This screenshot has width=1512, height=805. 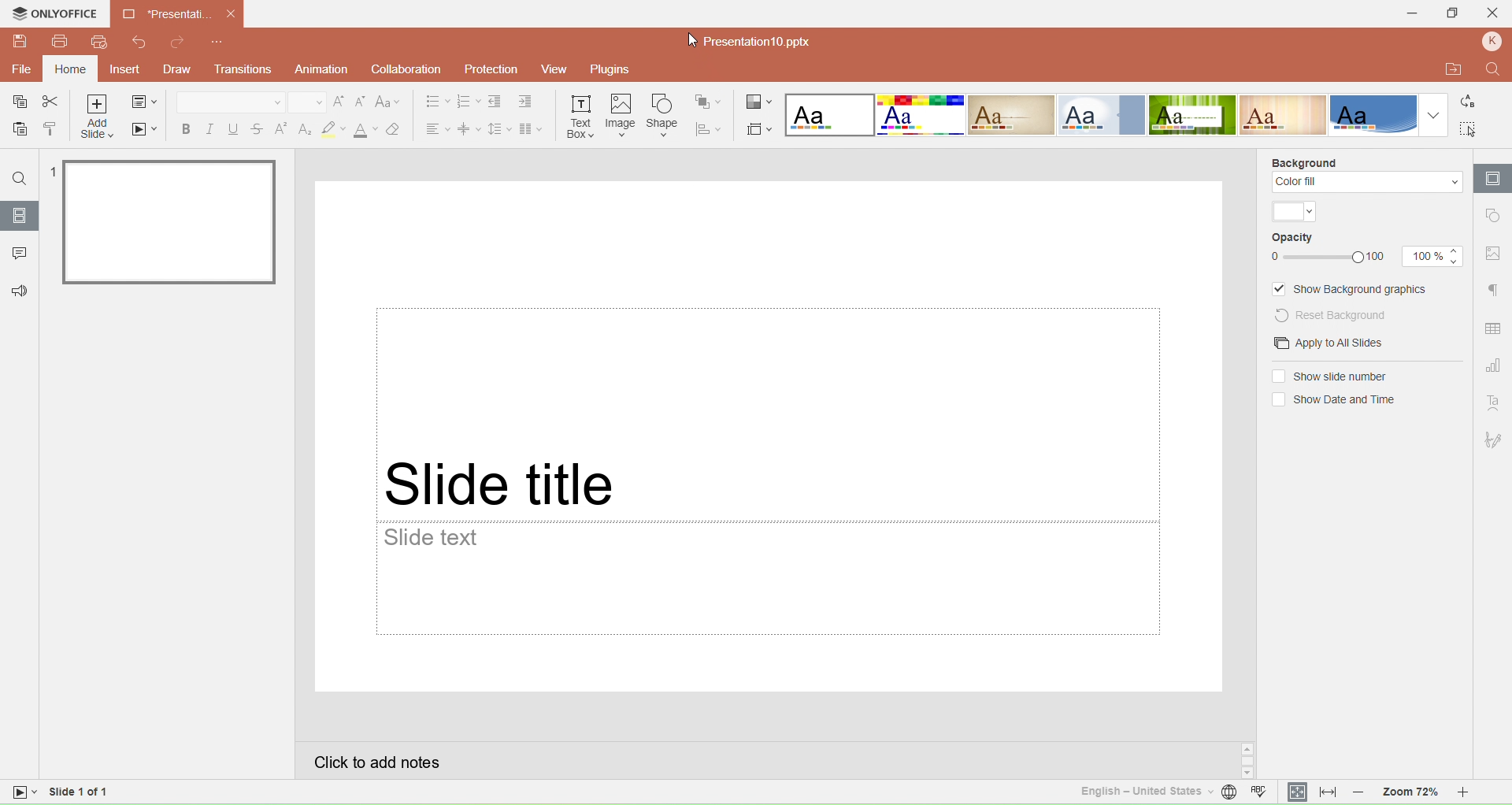 I want to click on Font color, so click(x=365, y=130).